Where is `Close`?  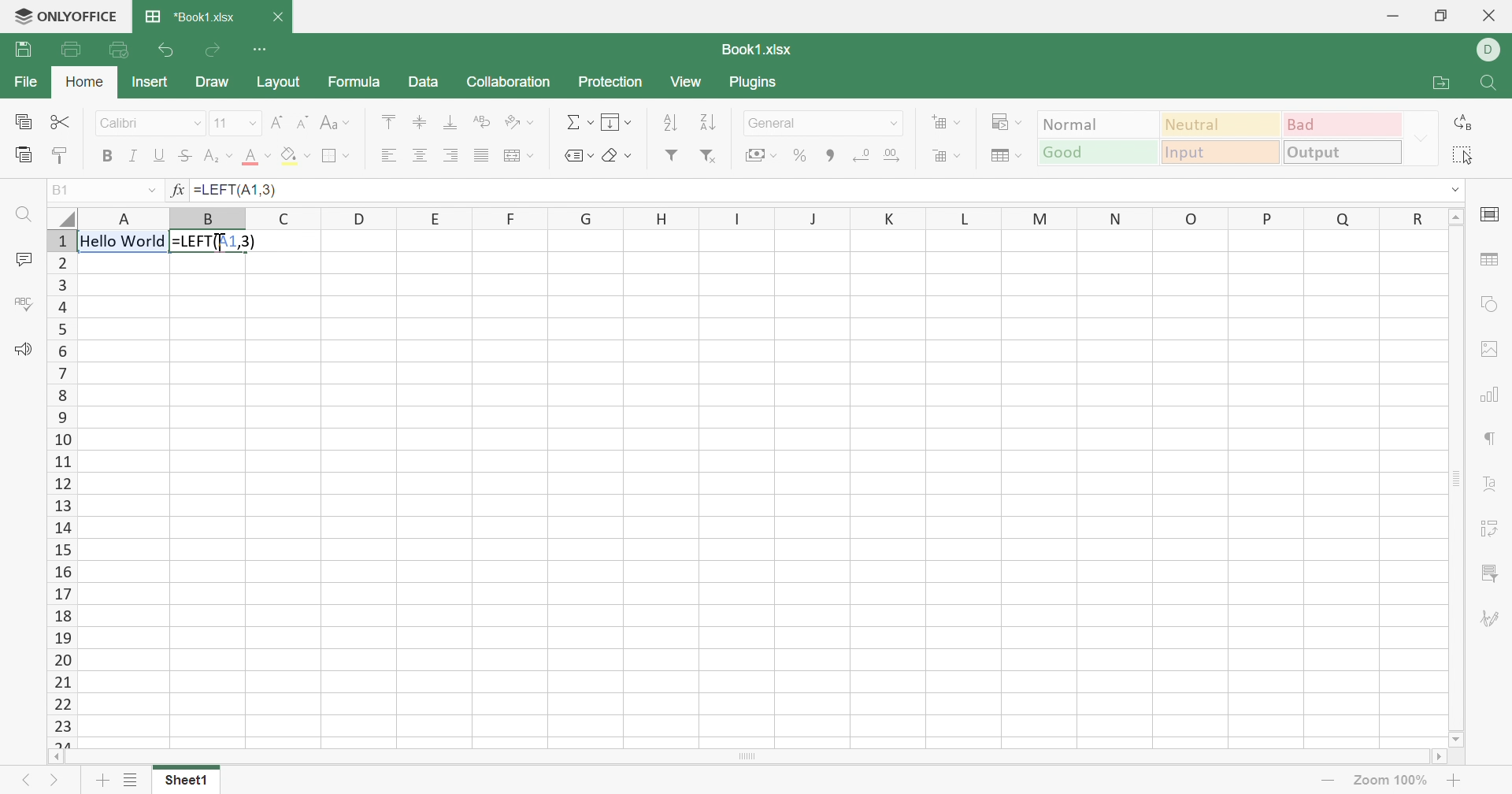
Close is located at coordinates (279, 19).